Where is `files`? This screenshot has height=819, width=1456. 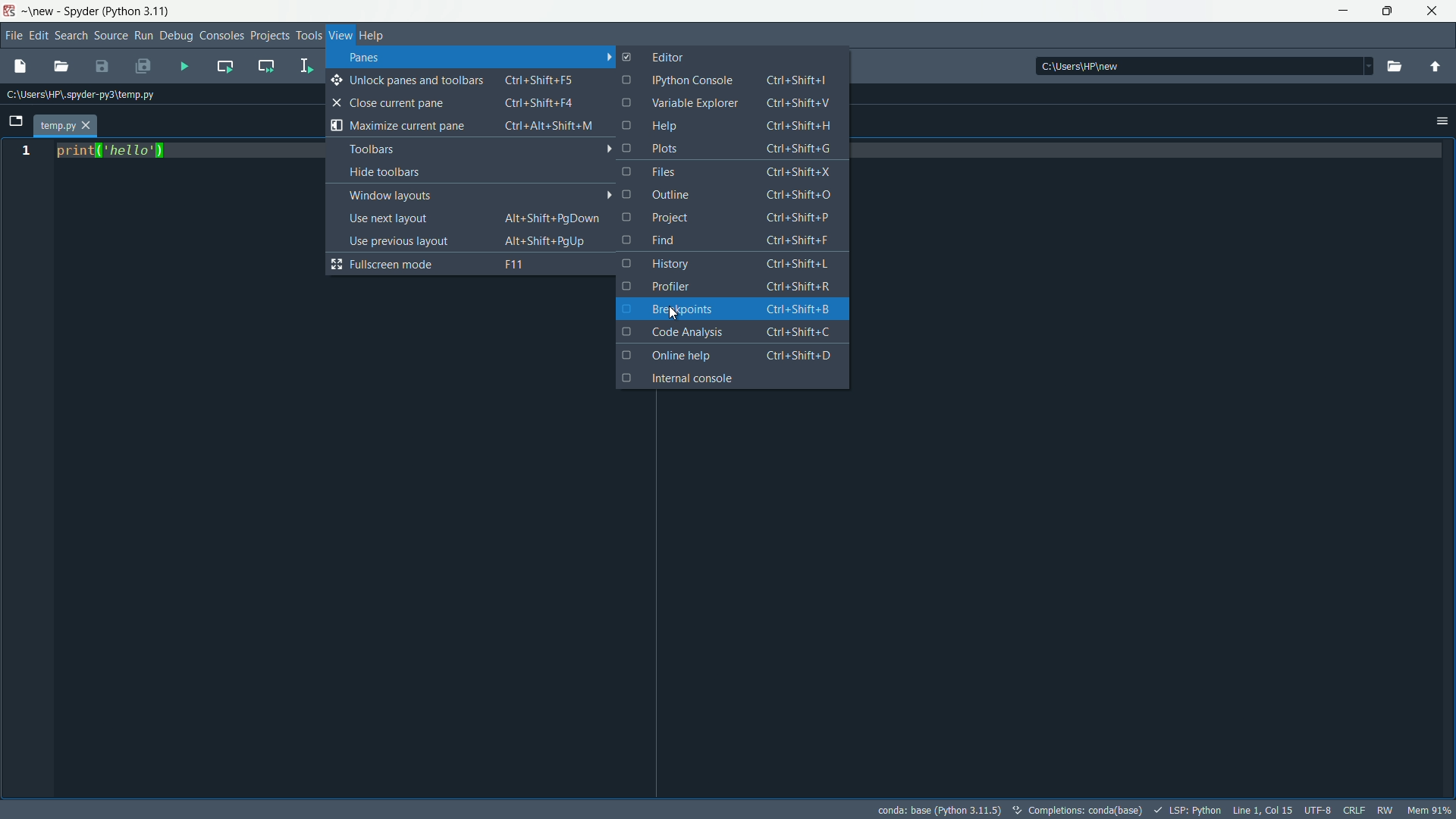 files is located at coordinates (733, 173).